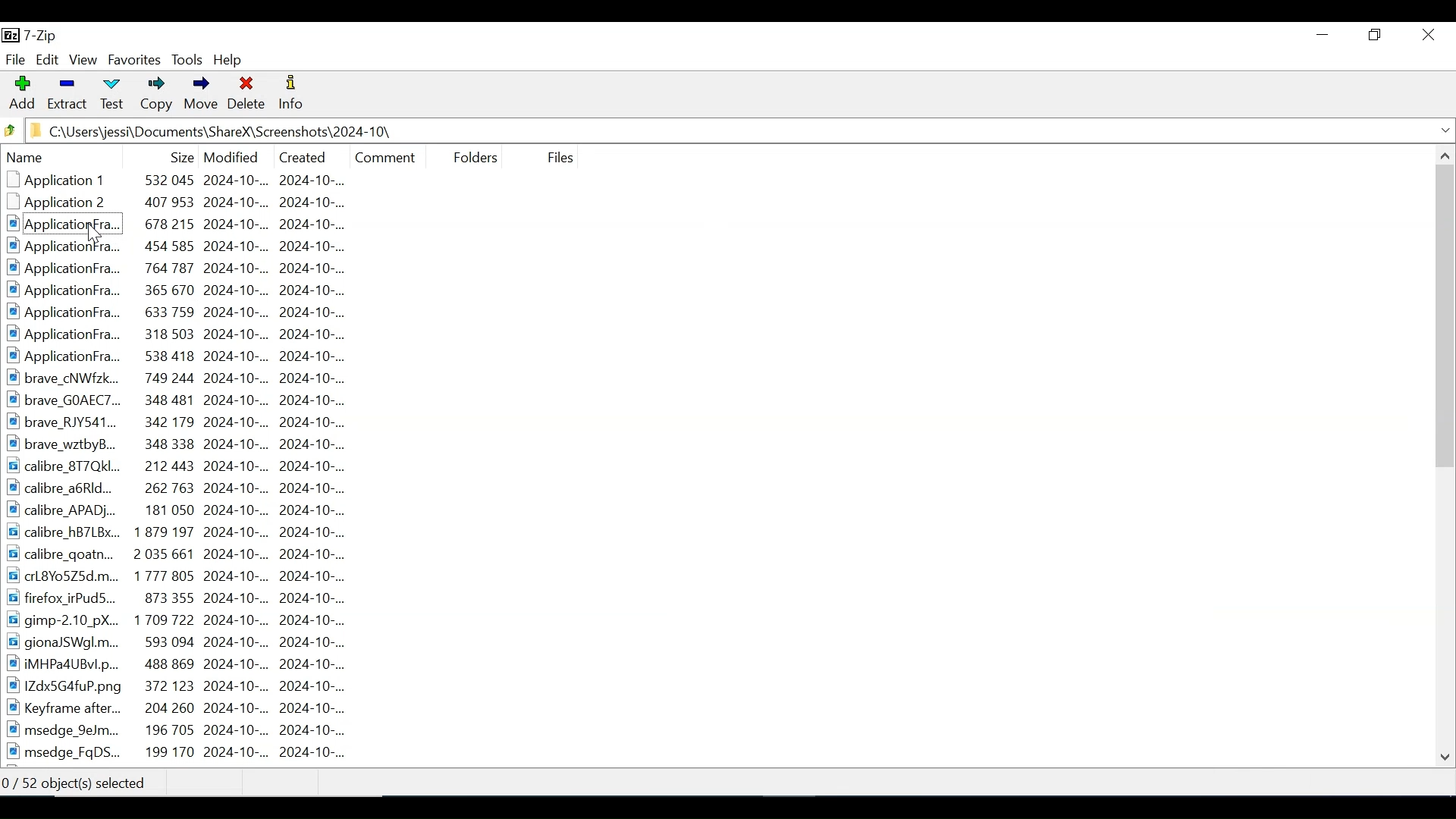 The height and width of the screenshot is (819, 1456). What do you see at coordinates (178, 155) in the screenshot?
I see `Size` at bounding box center [178, 155].